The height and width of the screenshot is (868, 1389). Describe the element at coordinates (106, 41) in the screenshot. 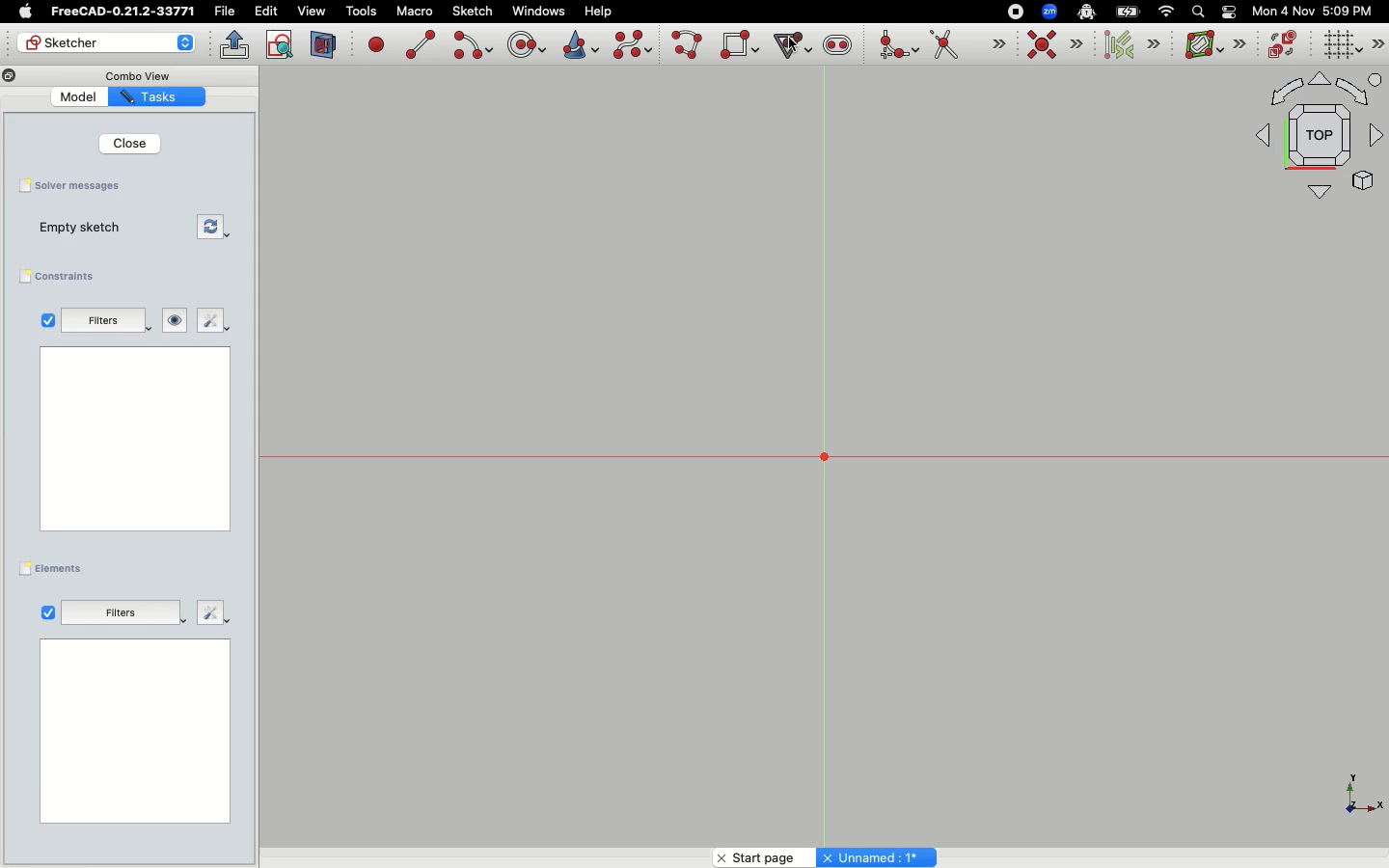

I see `Sketcher` at that location.